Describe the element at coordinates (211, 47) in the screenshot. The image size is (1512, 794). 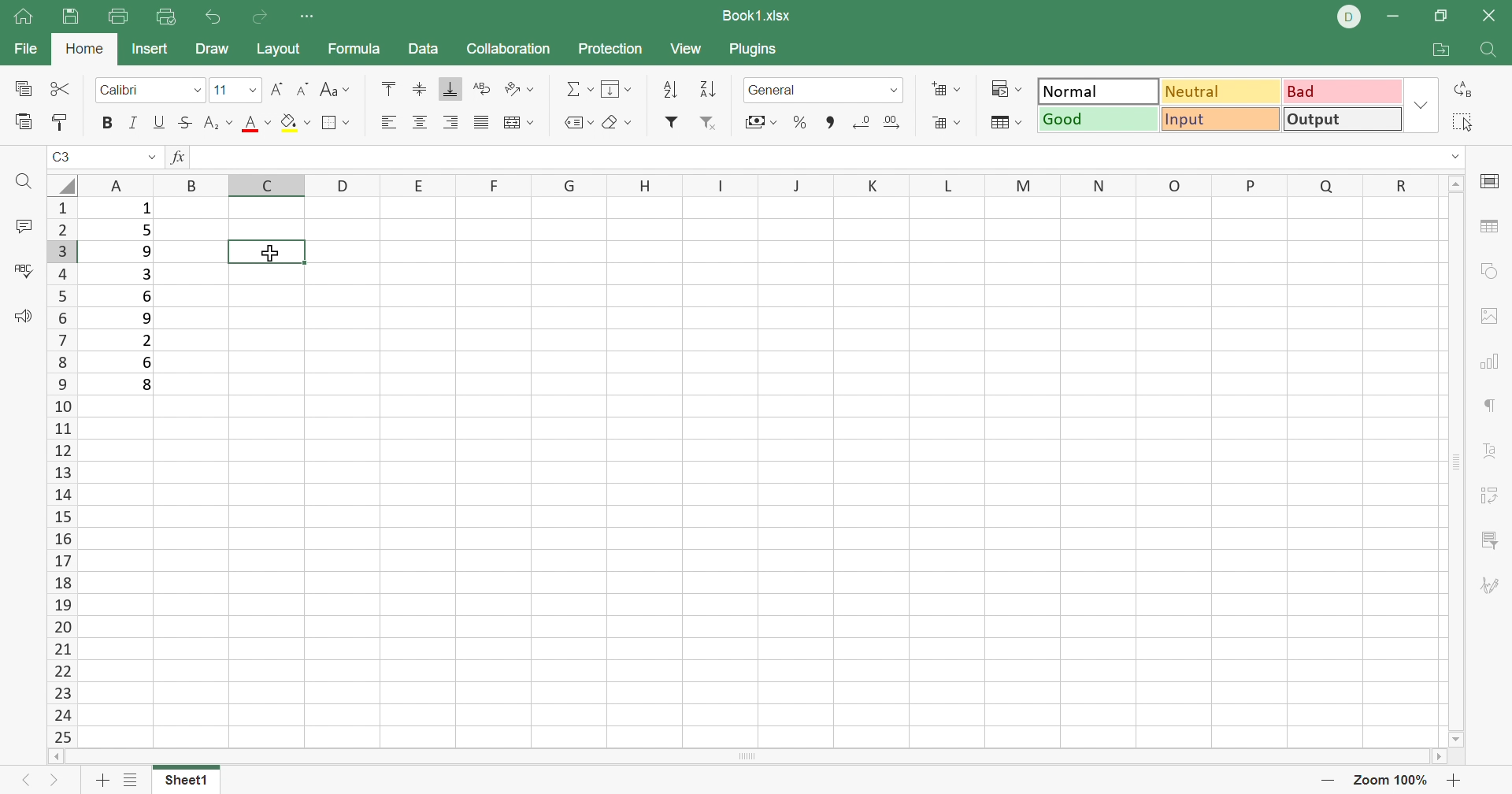
I see `Draw` at that location.